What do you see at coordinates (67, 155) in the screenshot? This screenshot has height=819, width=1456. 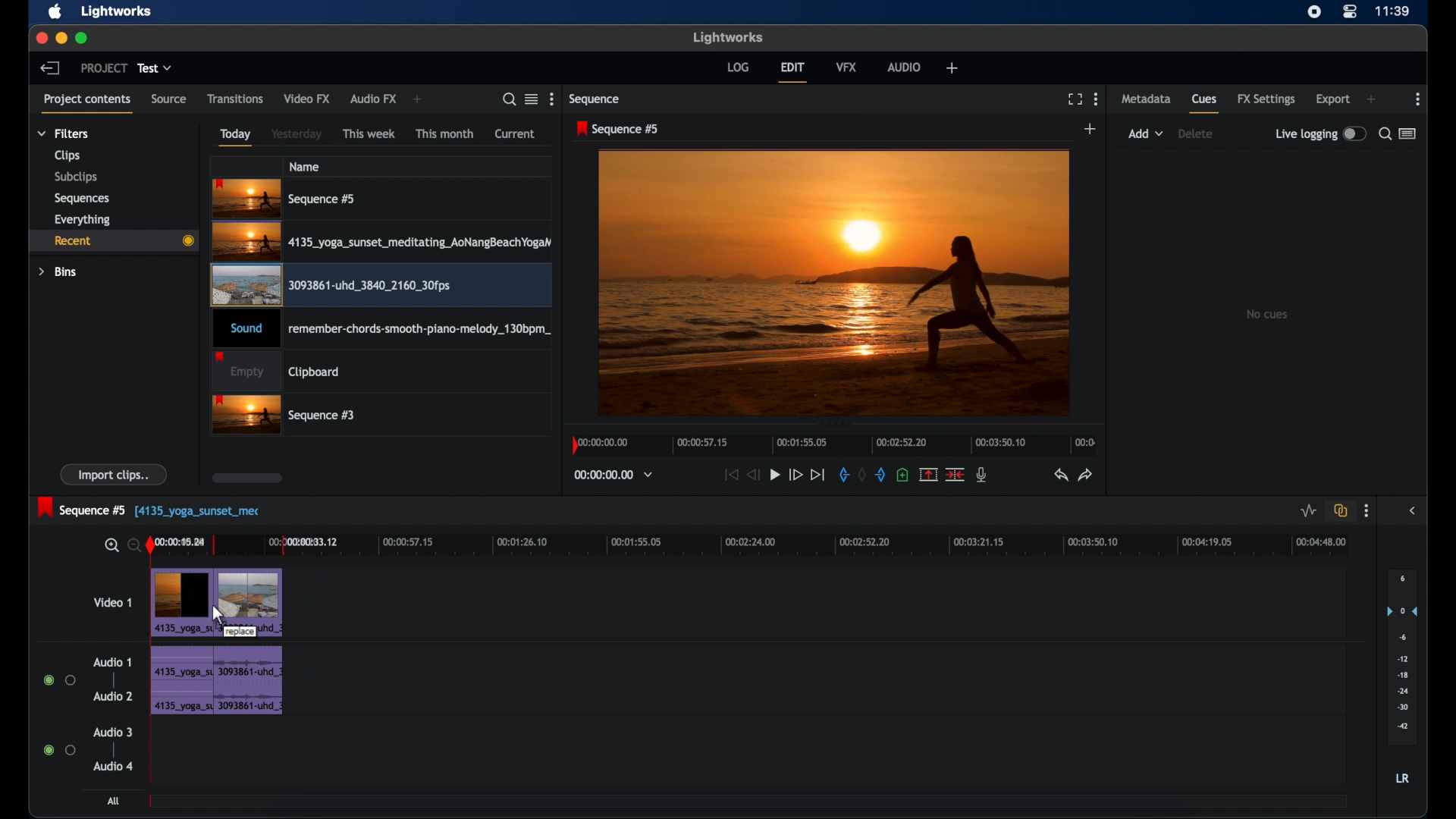 I see `clips` at bounding box center [67, 155].